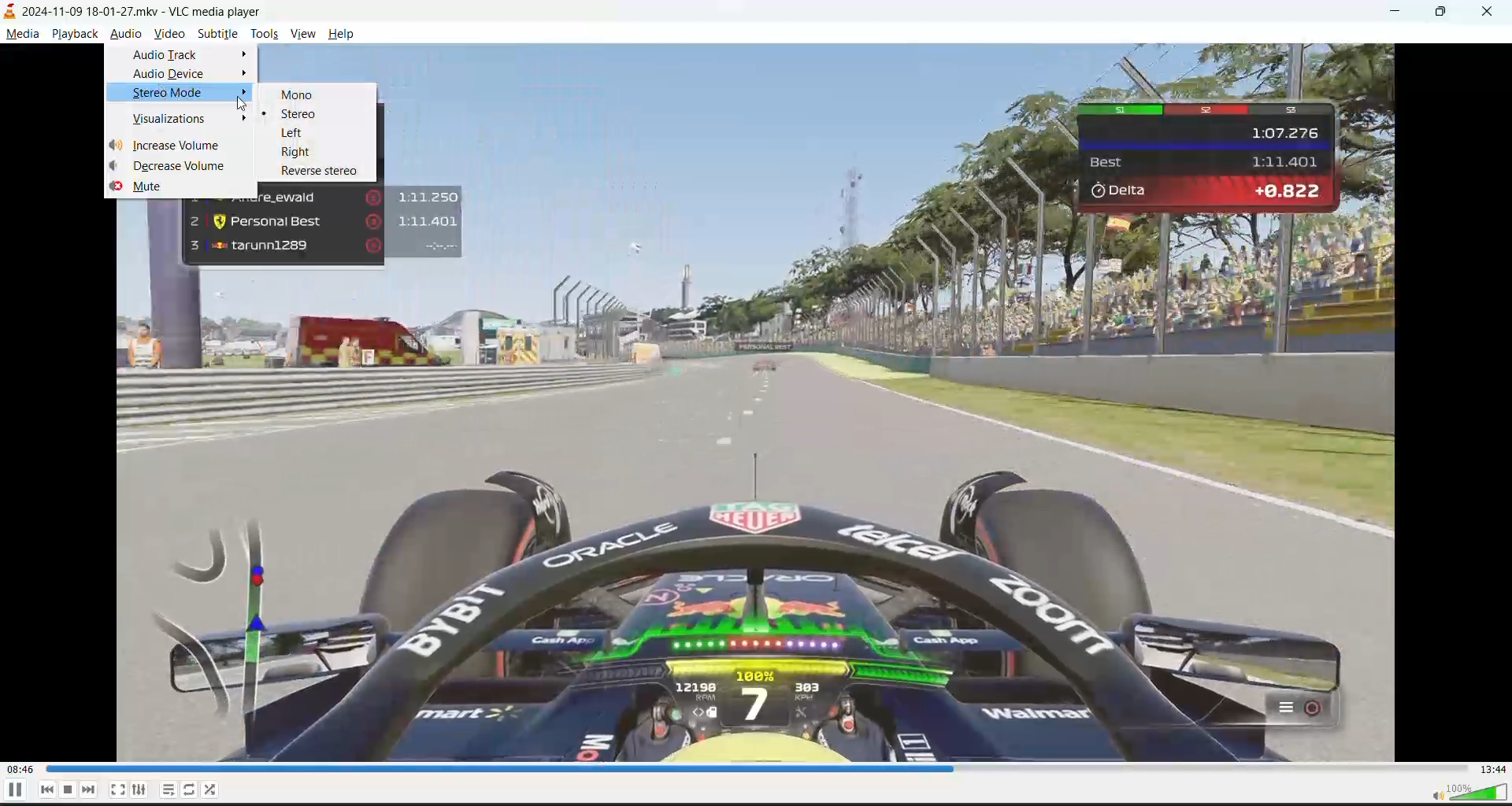  Describe the element at coordinates (1462, 790) in the screenshot. I see `volume` at that location.